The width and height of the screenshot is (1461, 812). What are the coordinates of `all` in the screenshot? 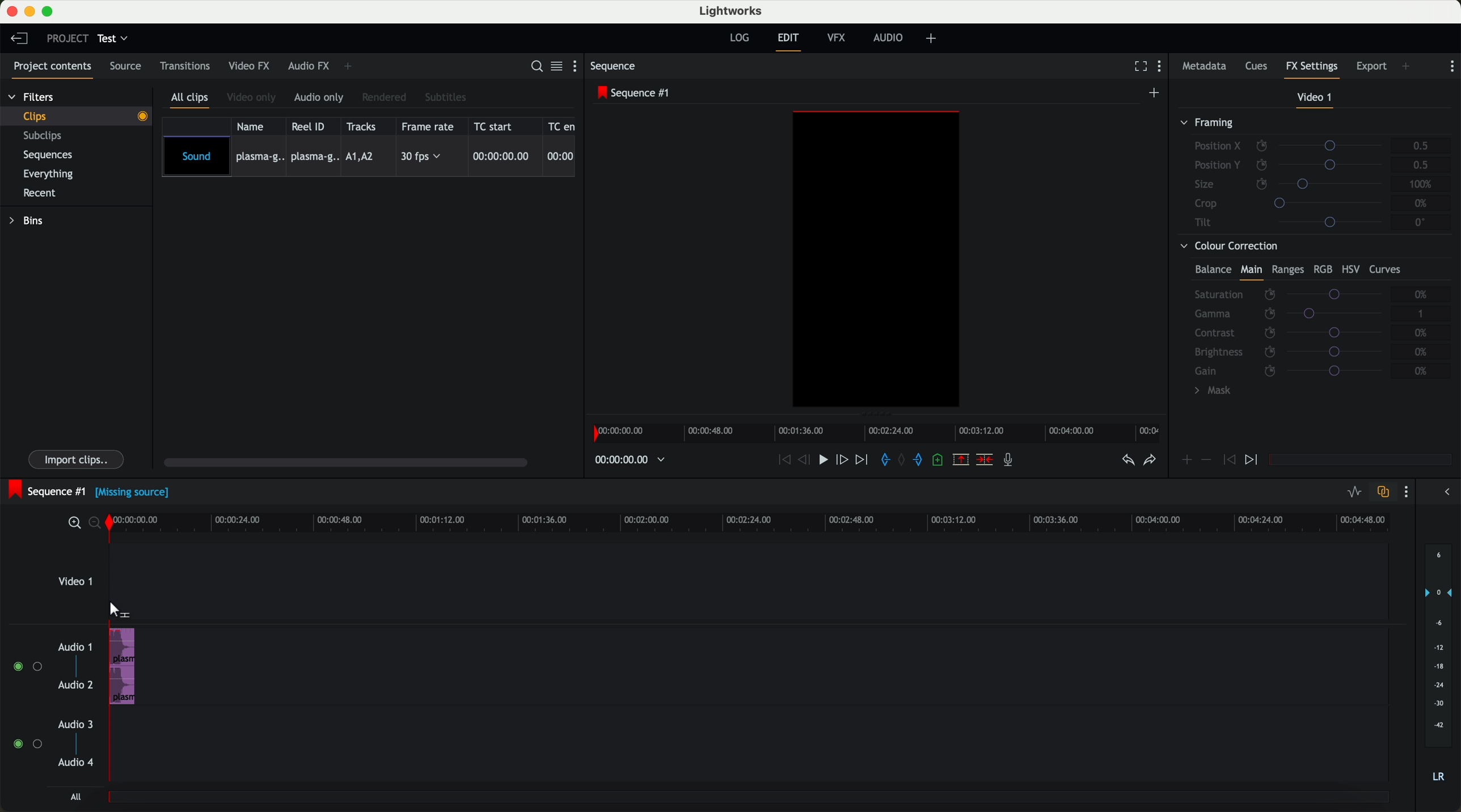 It's located at (74, 798).